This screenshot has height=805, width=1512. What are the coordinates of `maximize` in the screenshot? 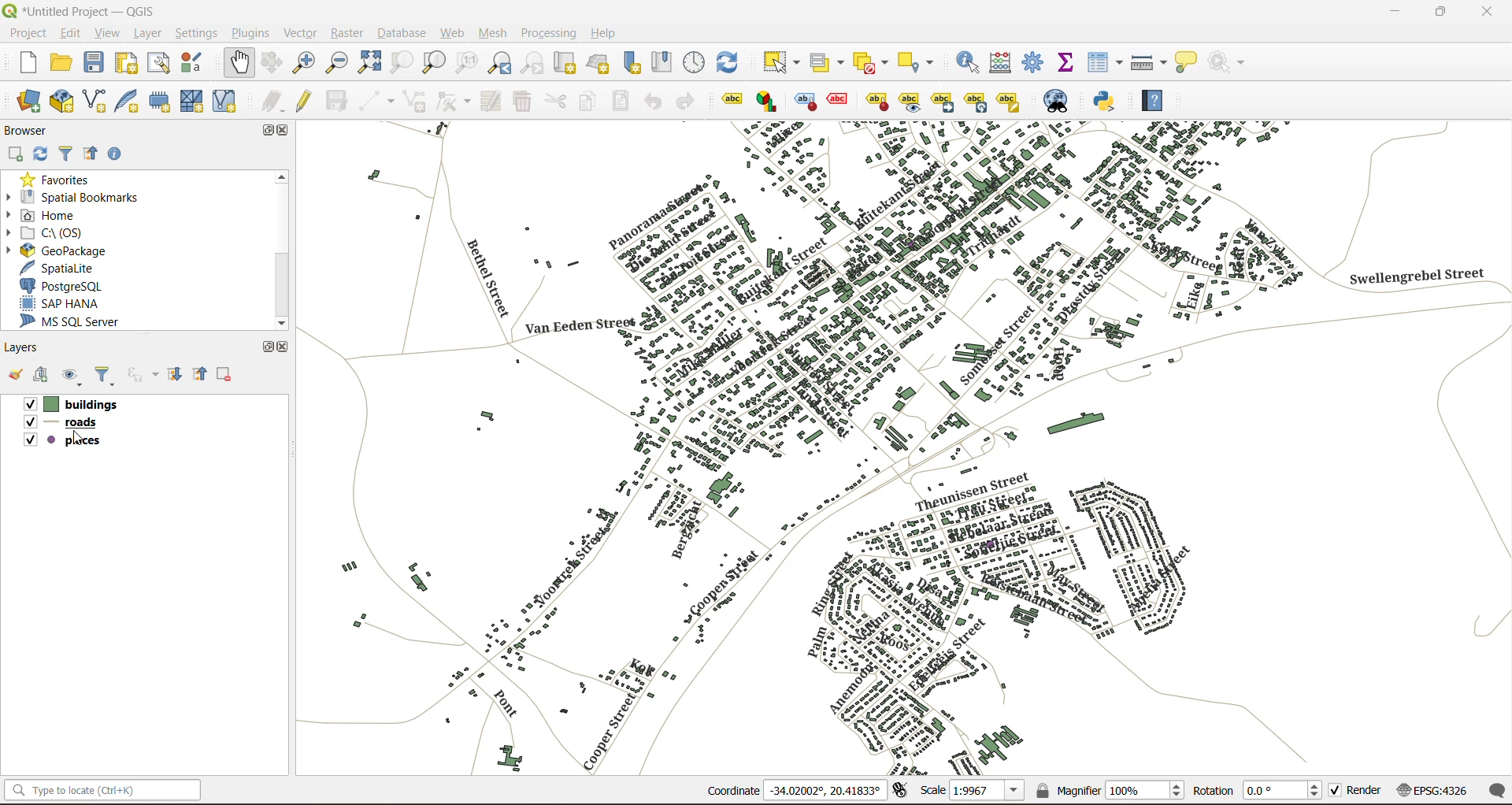 It's located at (265, 347).